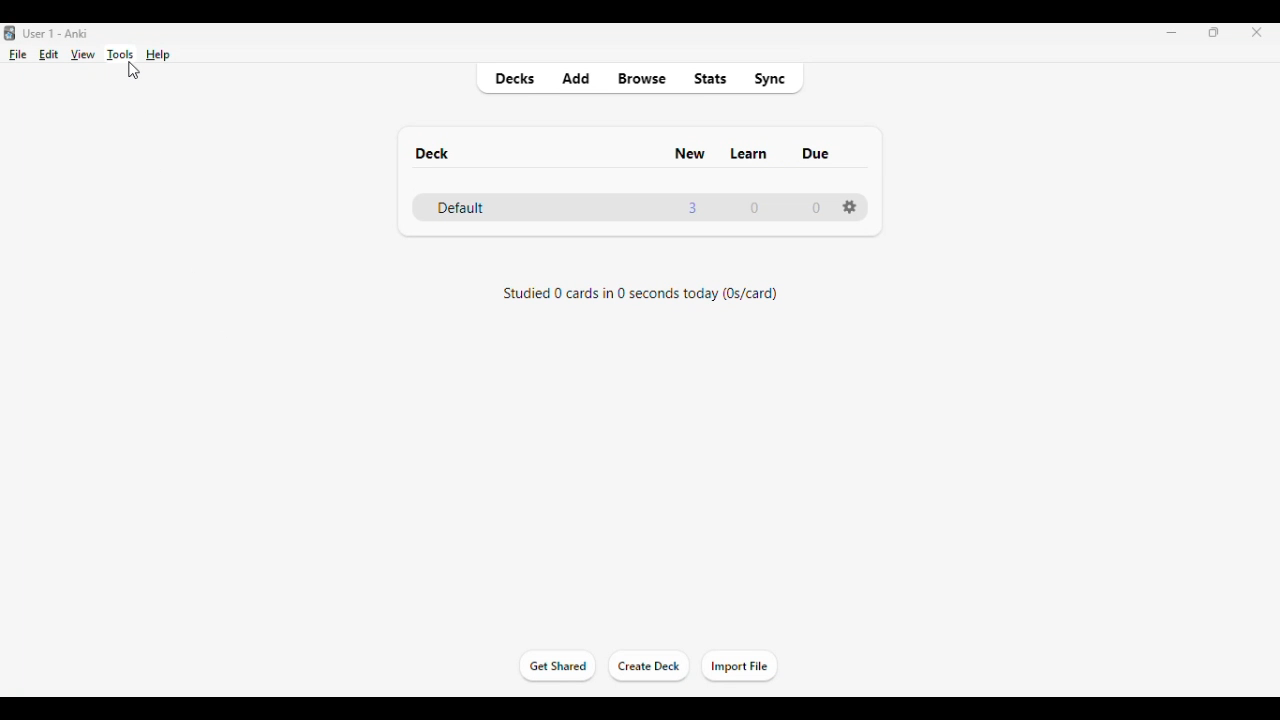 The image size is (1280, 720). Describe the element at coordinates (642, 294) in the screenshot. I see `studied 0 cards in 0 seconds today (0s/card)` at that location.